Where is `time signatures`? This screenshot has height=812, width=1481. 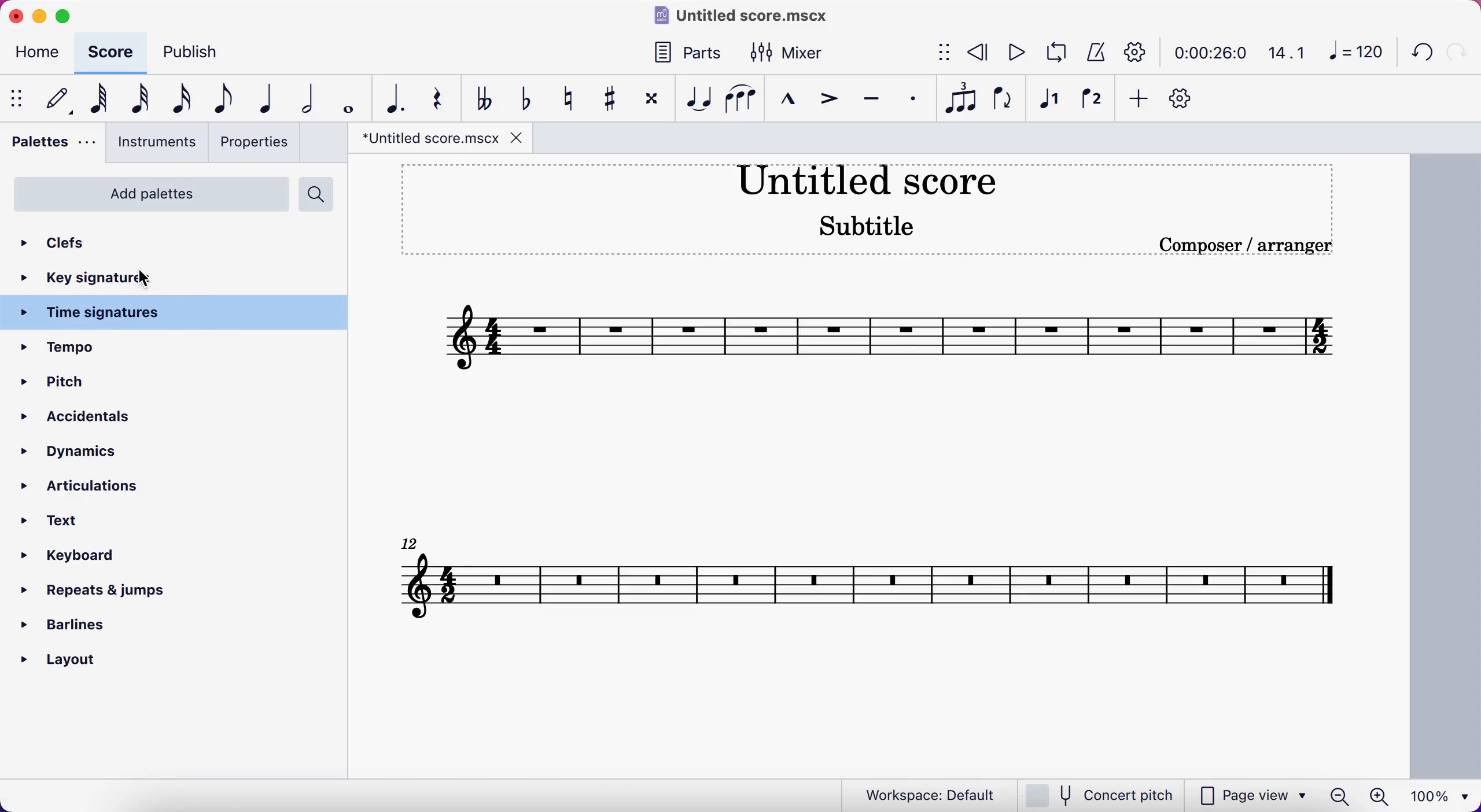 time signatures is located at coordinates (182, 313).